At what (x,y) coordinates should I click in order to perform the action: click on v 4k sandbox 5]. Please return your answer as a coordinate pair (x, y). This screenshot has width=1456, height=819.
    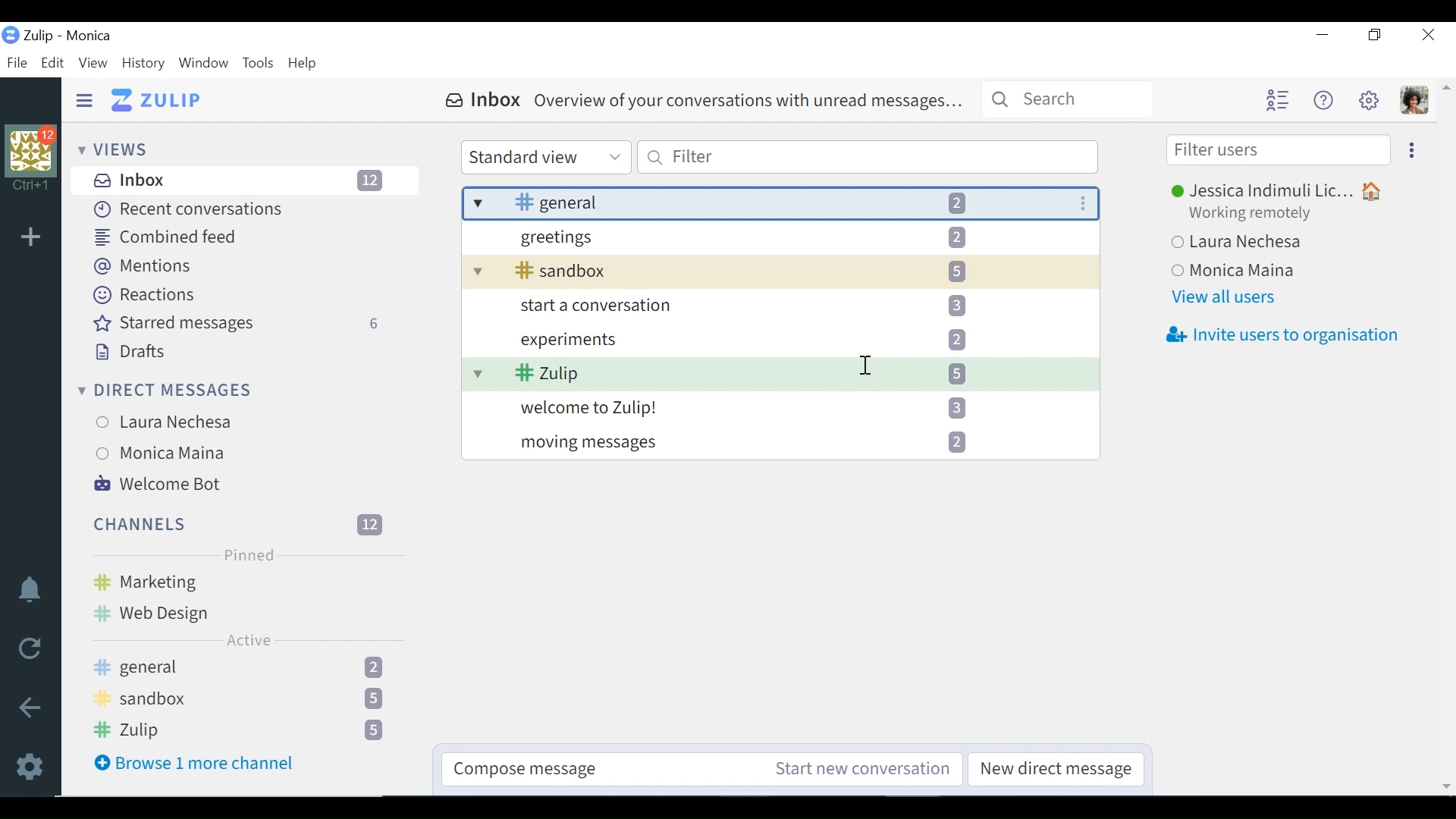
    Looking at the image, I should click on (758, 268).